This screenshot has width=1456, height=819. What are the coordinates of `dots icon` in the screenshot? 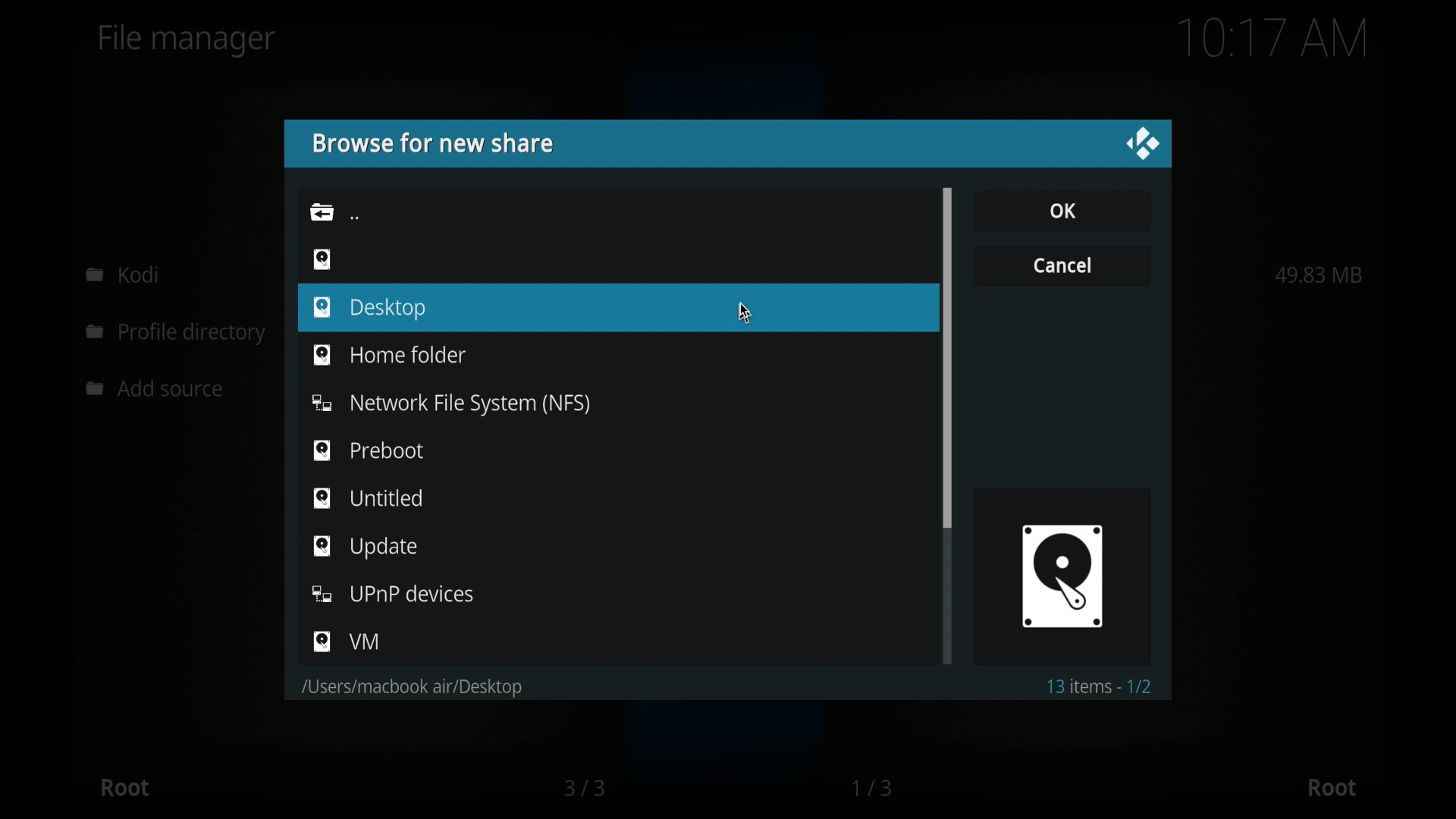 It's located at (355, 217).